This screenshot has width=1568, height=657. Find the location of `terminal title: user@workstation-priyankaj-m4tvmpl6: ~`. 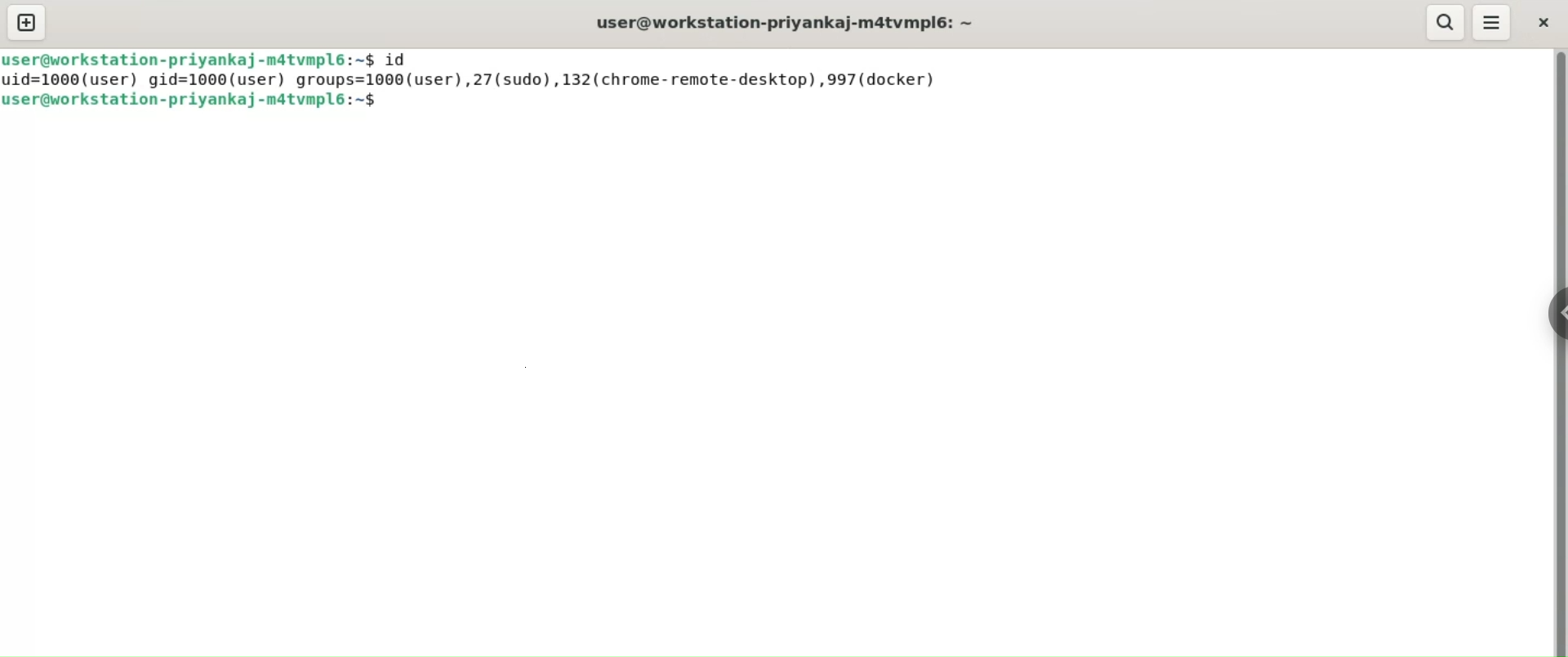

terminal title: user@workstation-priyankaj-m4tvmpl6: ~ is located at coordinates (789, 25).